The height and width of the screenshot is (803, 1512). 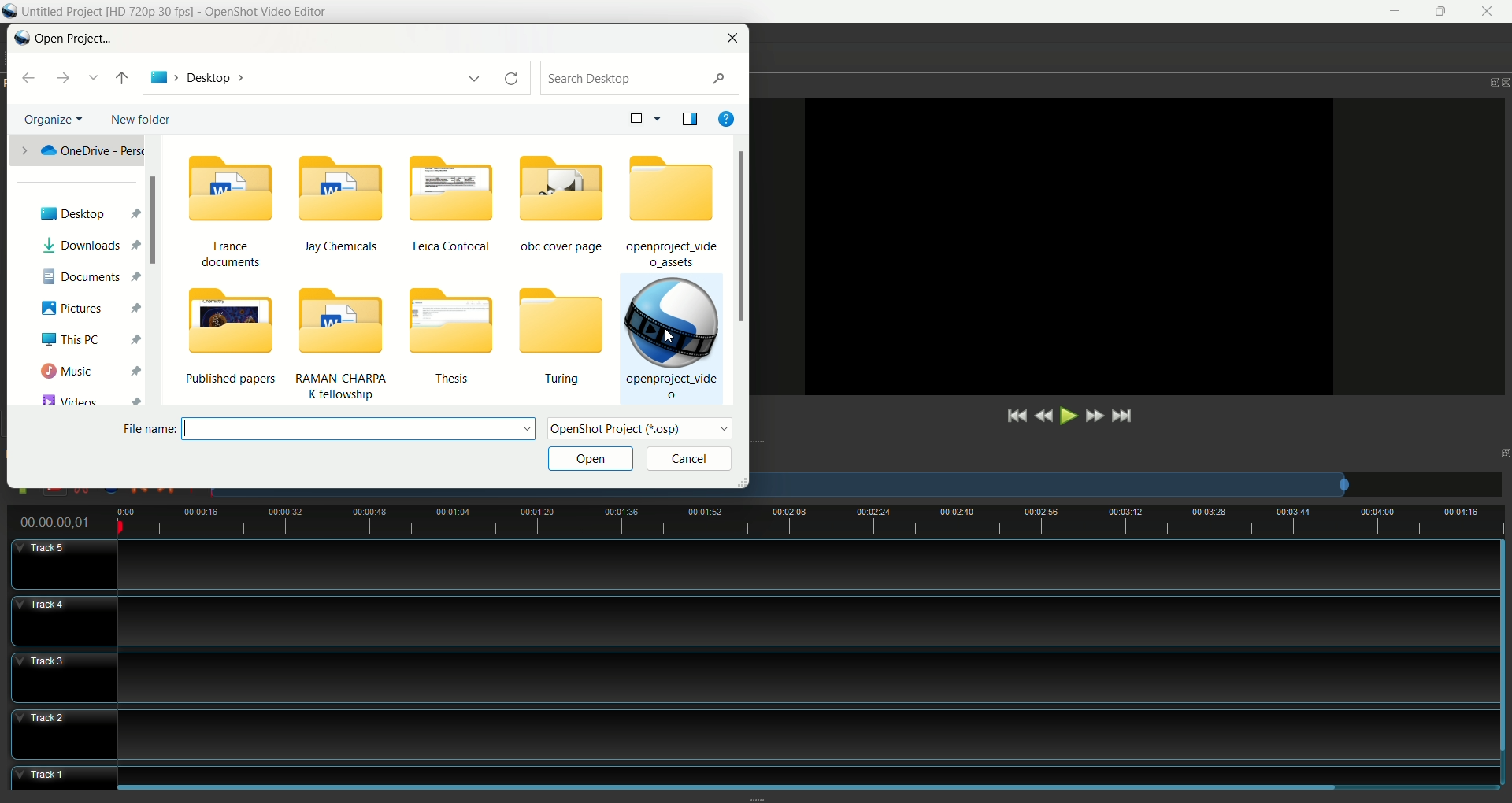 I want to click on openproject vide
0_assets, so click(x=673, y=210).